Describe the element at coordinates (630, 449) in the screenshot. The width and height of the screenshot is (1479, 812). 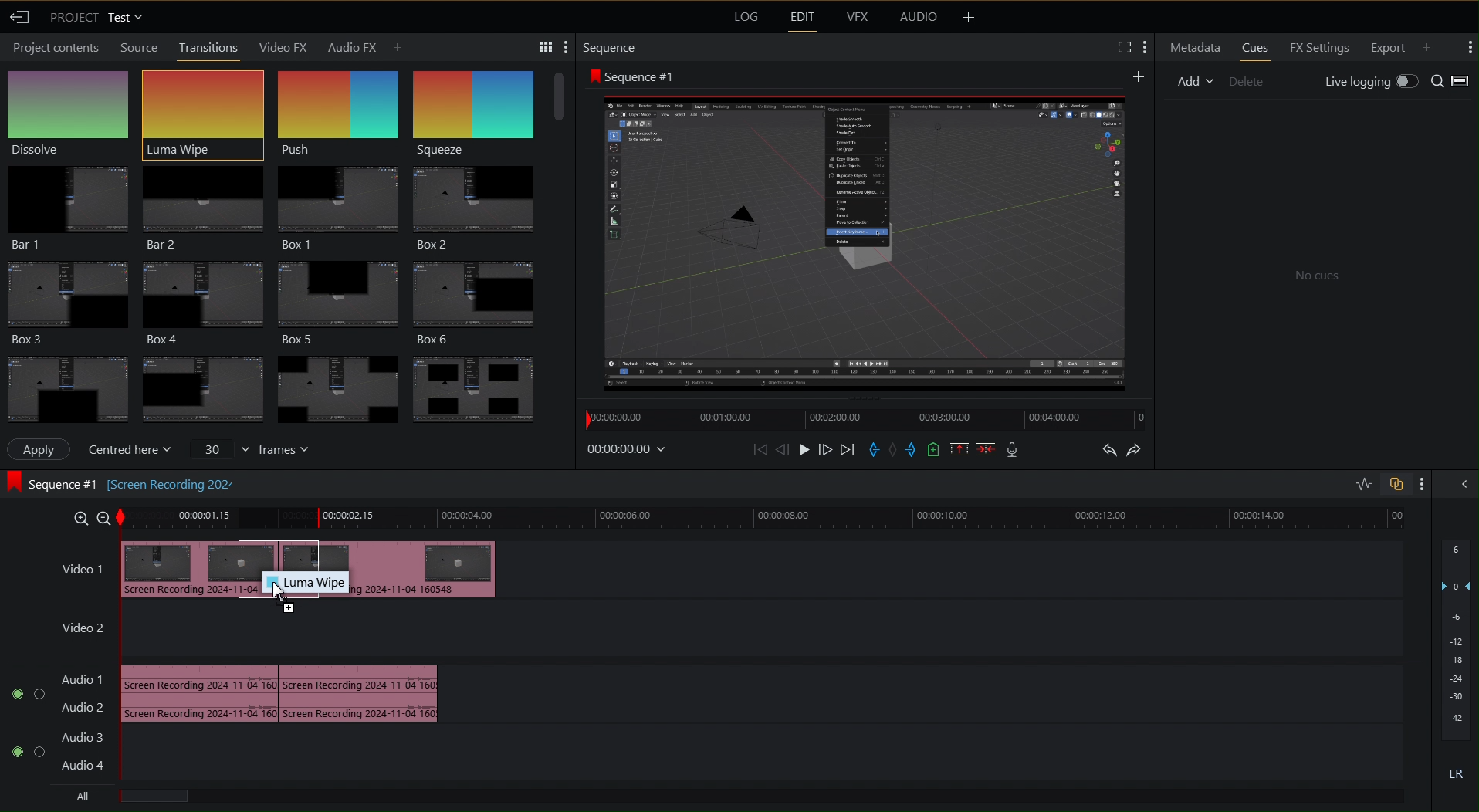
I see `Timestamp` at that location.